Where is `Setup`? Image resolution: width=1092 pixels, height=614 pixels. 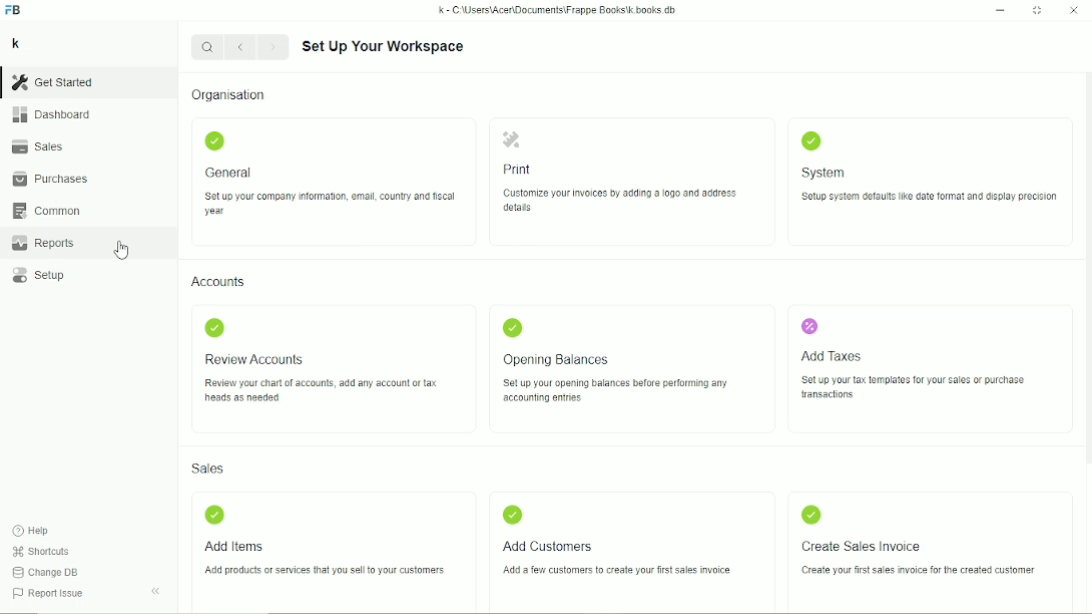
Setup is located at coordinates (38, 274).